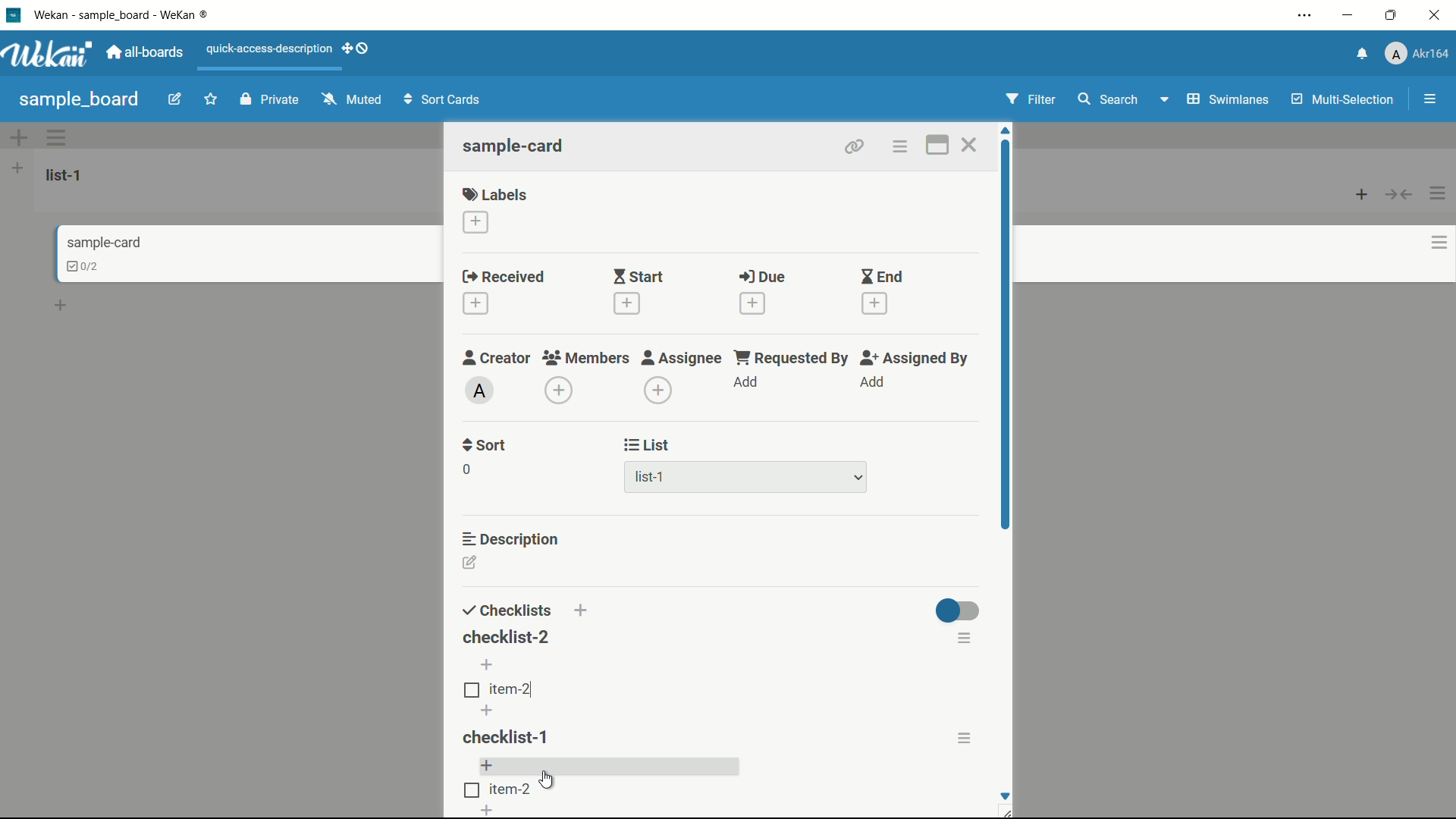 The image size is (1456, 819). Describe the element at coordinates (638, 278) in the screenshot. I see `start` at that location.